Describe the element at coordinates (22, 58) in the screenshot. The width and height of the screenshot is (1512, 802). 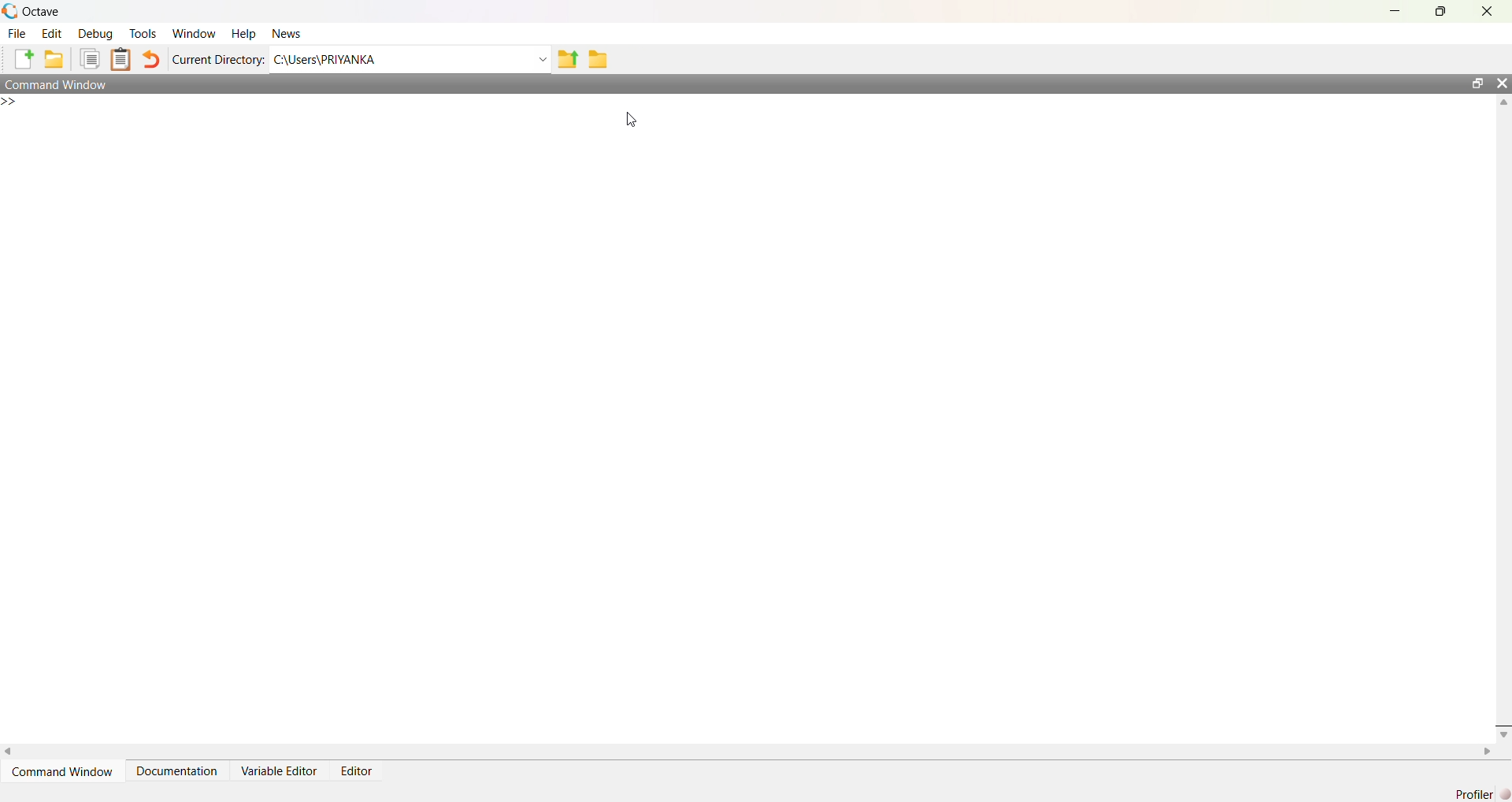
I see `Create a new file` at that location.